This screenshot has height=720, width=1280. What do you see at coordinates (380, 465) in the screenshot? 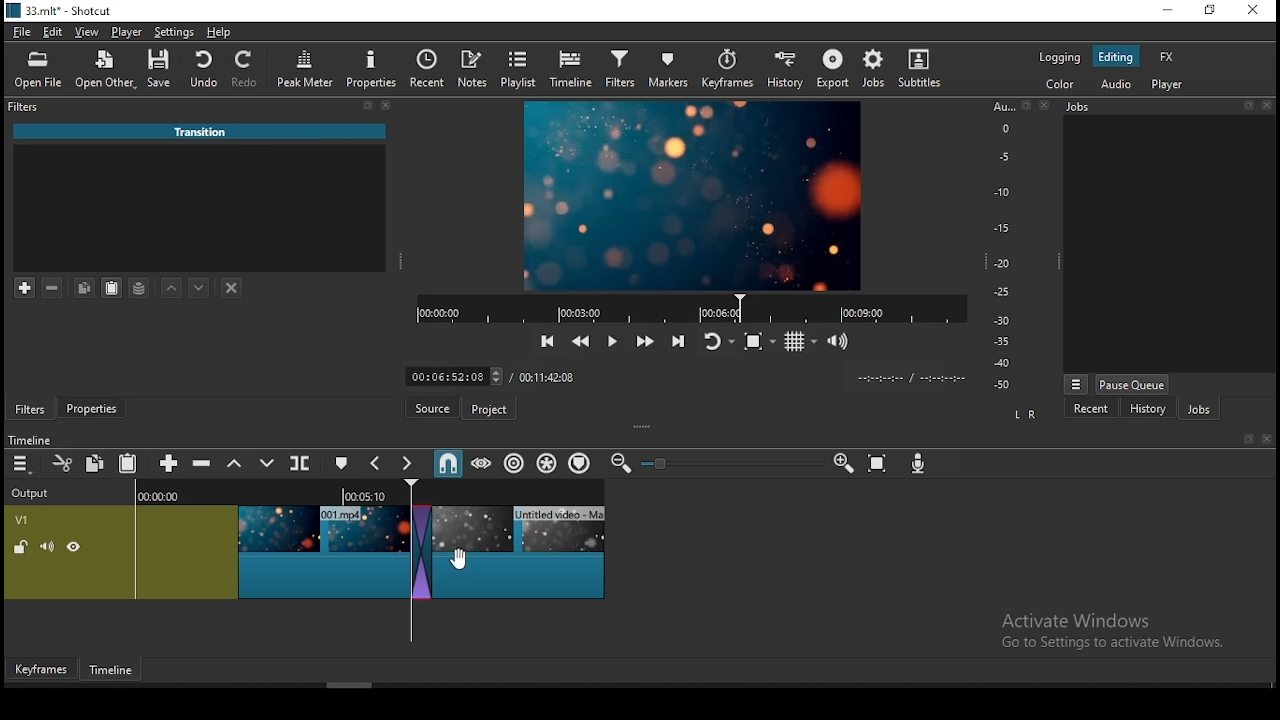
I see `previous marker` at bounding box center [380, 465].